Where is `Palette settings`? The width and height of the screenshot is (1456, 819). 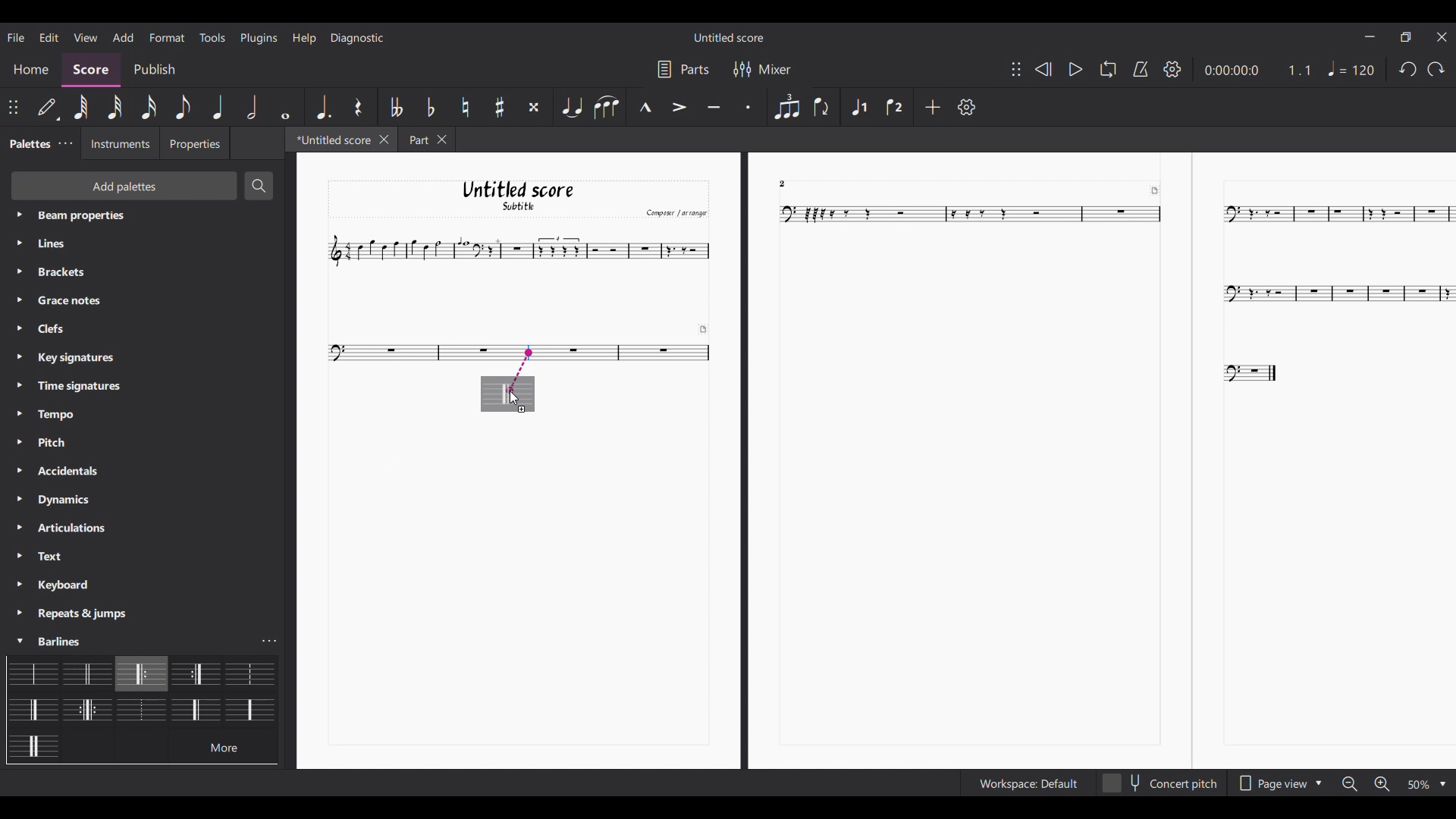 Palette settings is located at coordinates (89, 218).